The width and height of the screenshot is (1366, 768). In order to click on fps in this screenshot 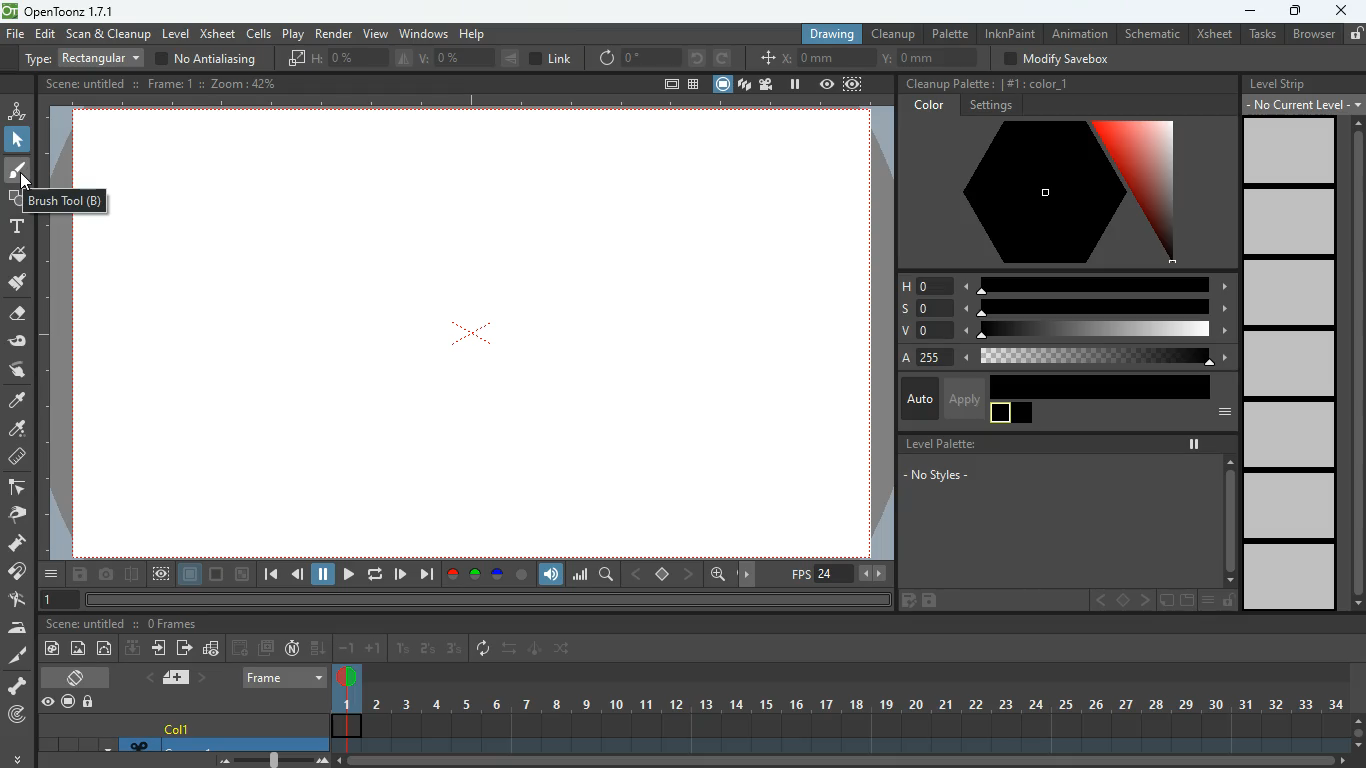, I will do `click(840, 574)`.